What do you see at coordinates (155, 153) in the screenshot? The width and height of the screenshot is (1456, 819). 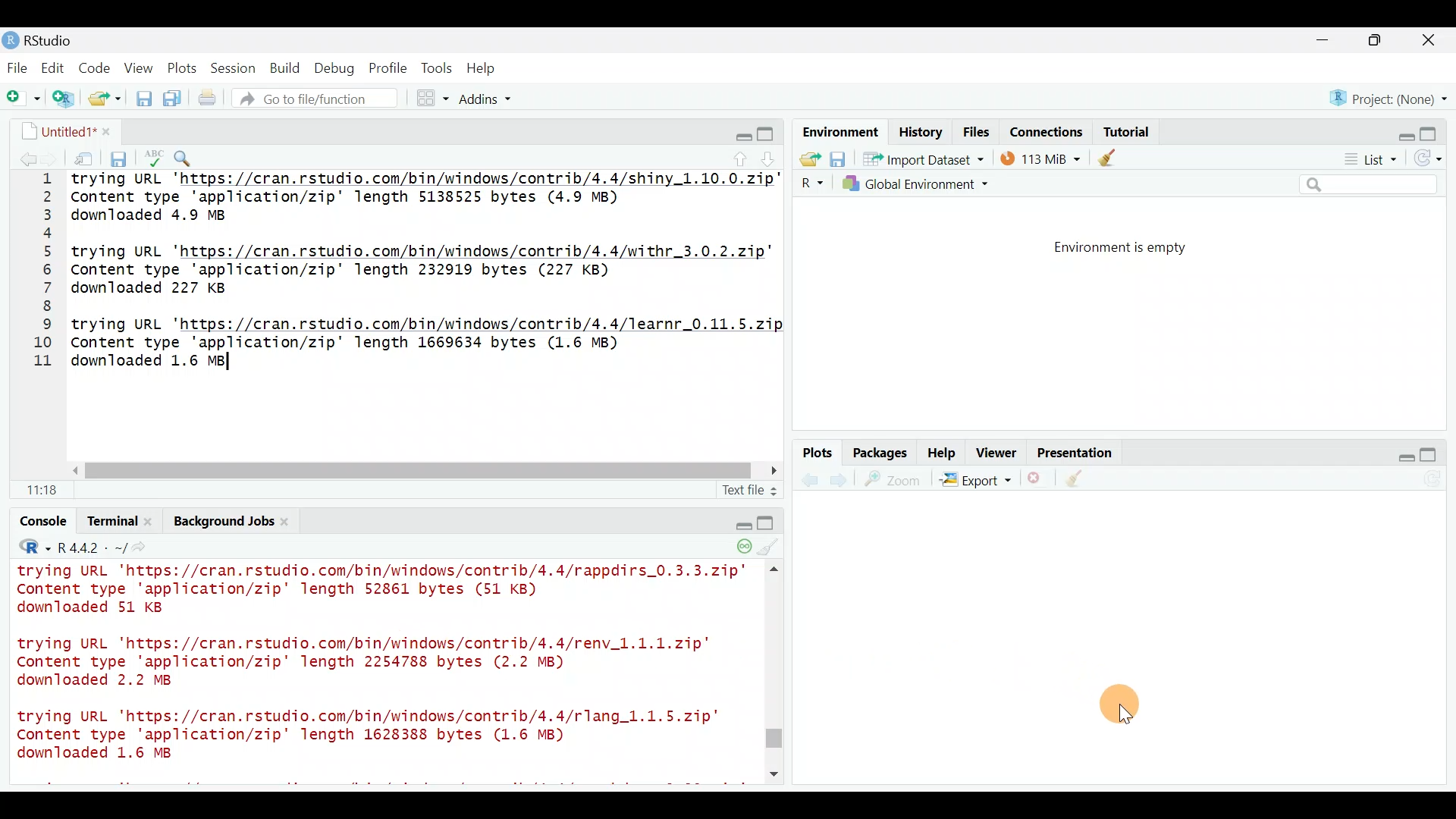 I see `check spelling in document` at bounding box center [155, 153].